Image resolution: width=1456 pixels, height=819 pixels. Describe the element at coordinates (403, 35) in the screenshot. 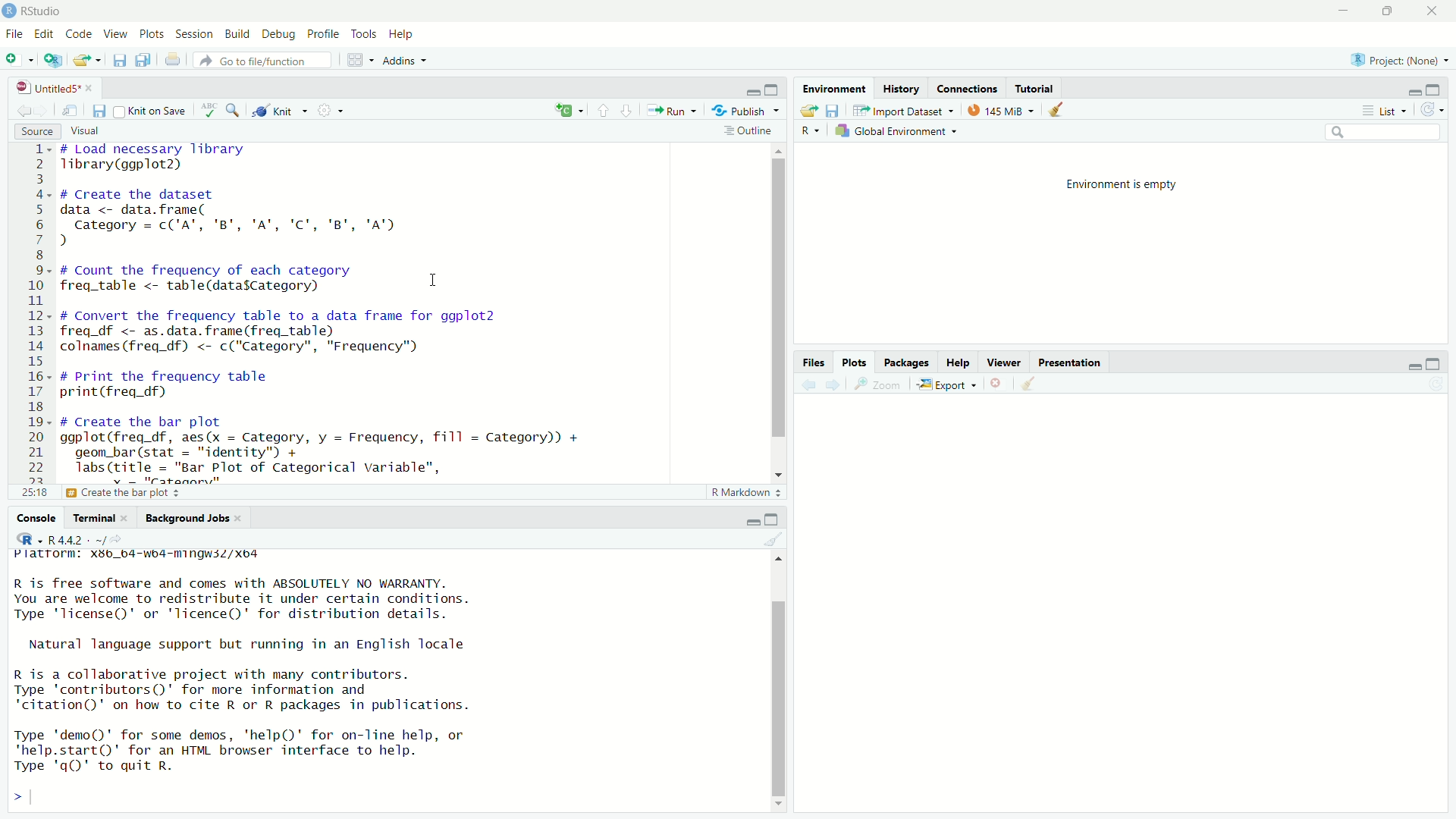

I see `help` at that location.